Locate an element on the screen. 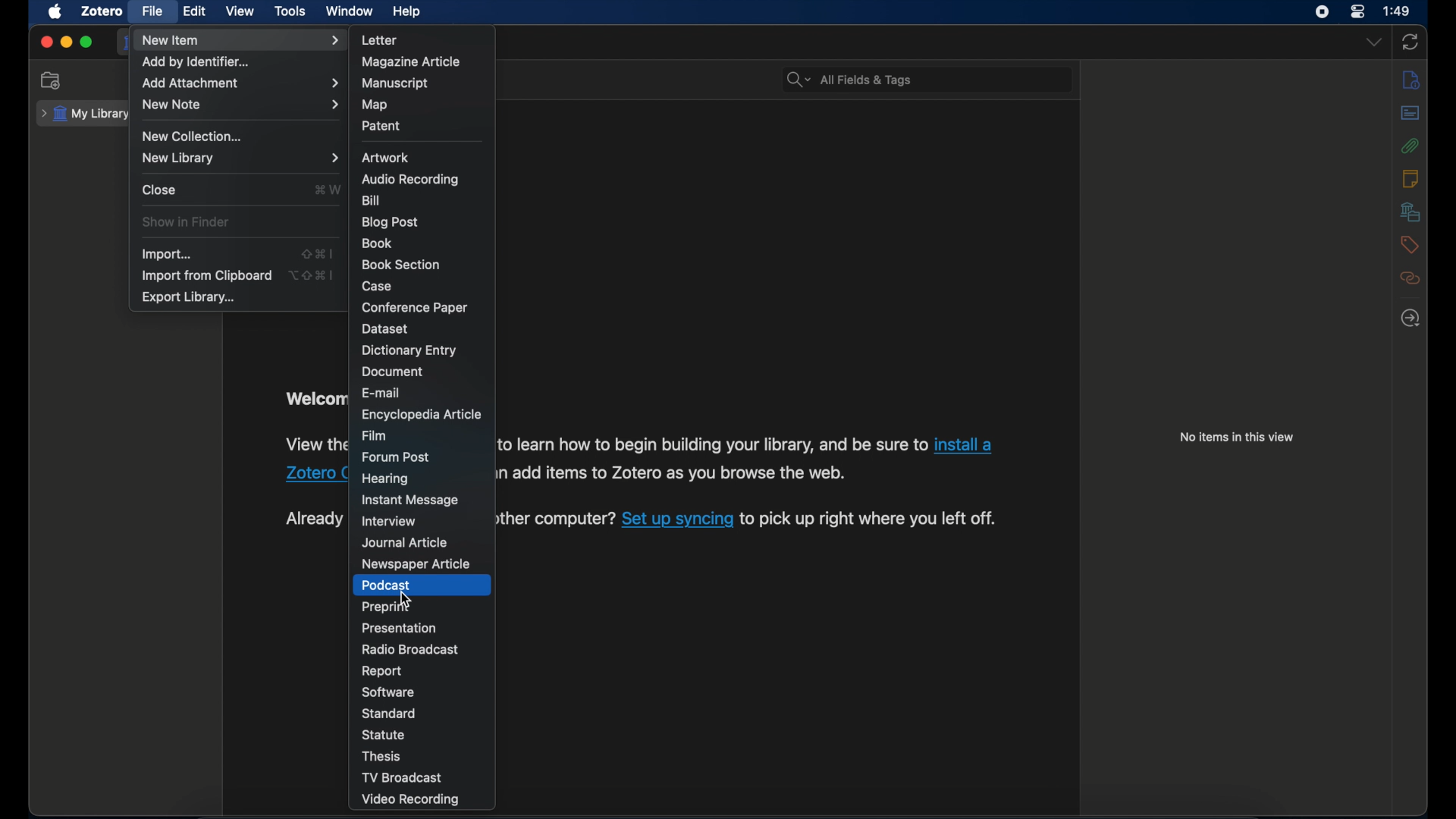 Image resolution: width=1456 pixels, height=819 pixels. statue is located at coordinates (384, 735).